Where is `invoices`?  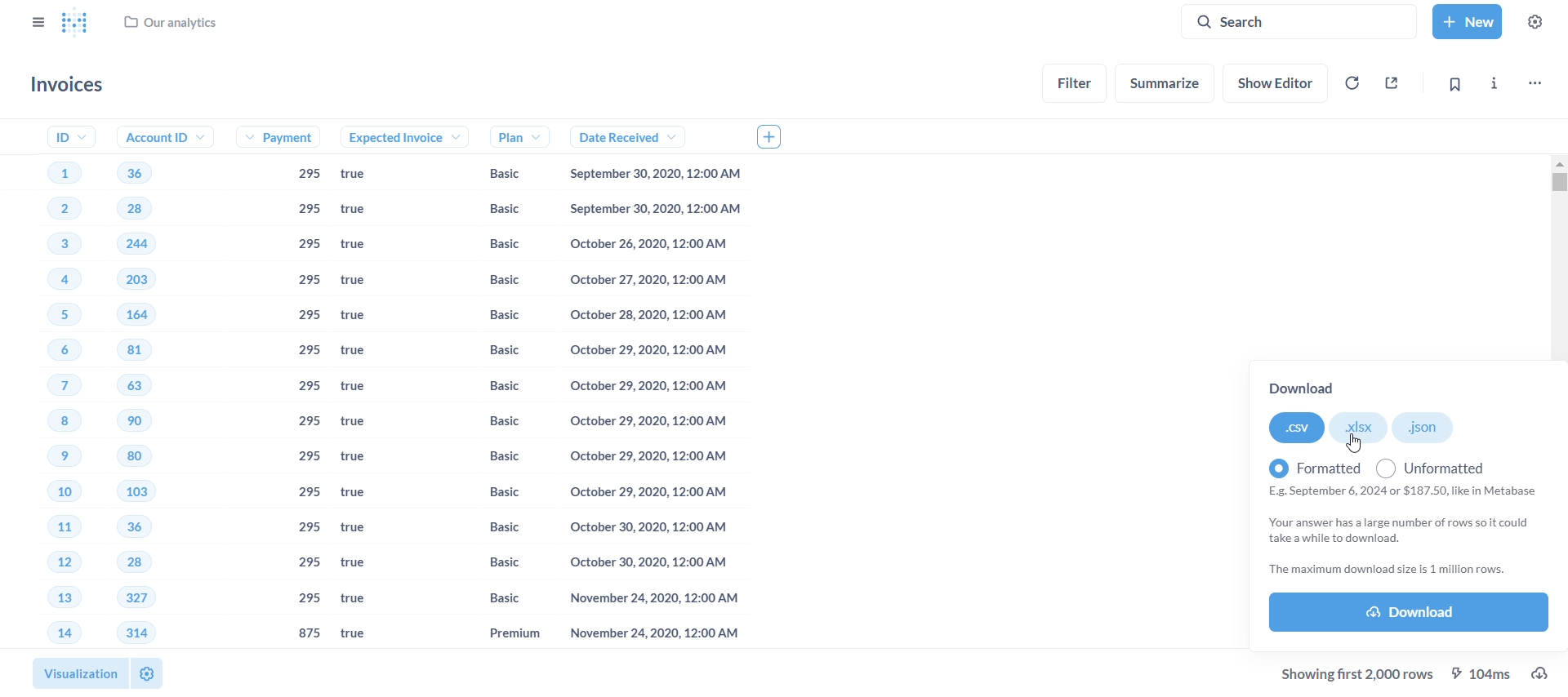
invoices is located at coordinates (71, 85).